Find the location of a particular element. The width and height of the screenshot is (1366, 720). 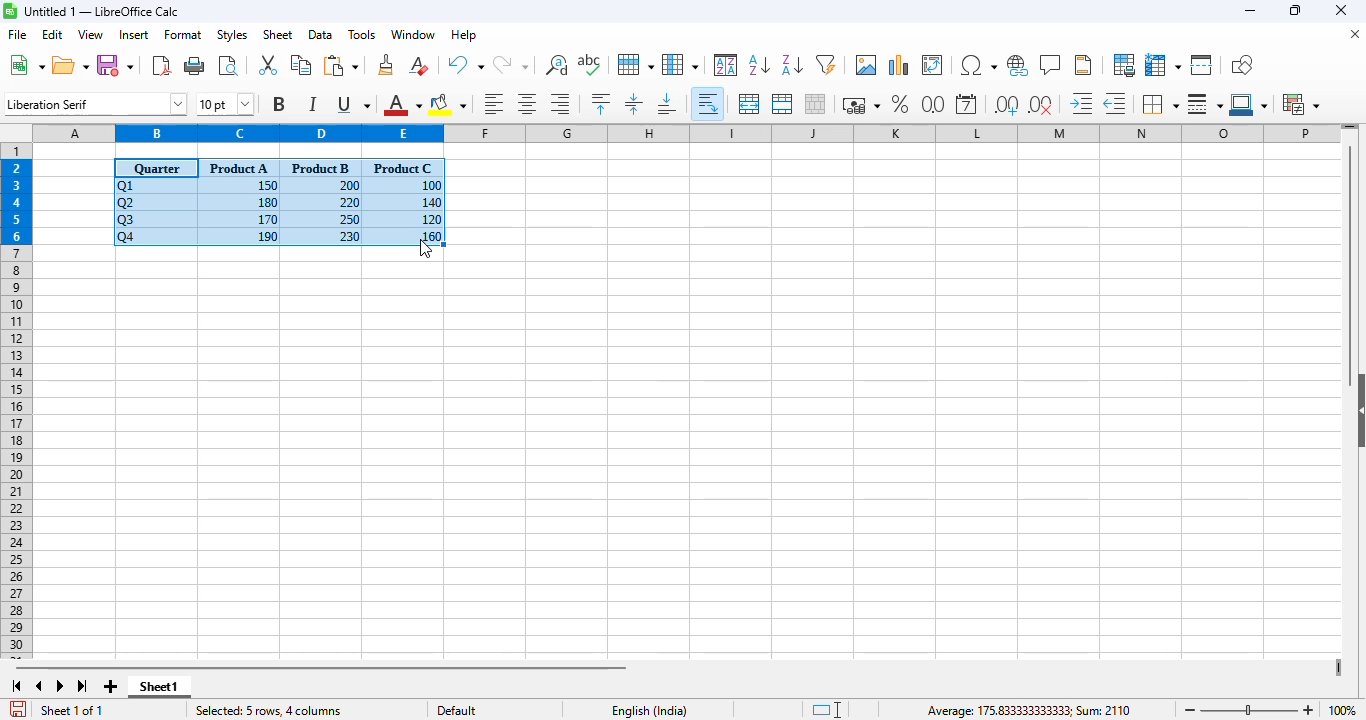

insert hyperlink is located at coordinates (1018, 66).